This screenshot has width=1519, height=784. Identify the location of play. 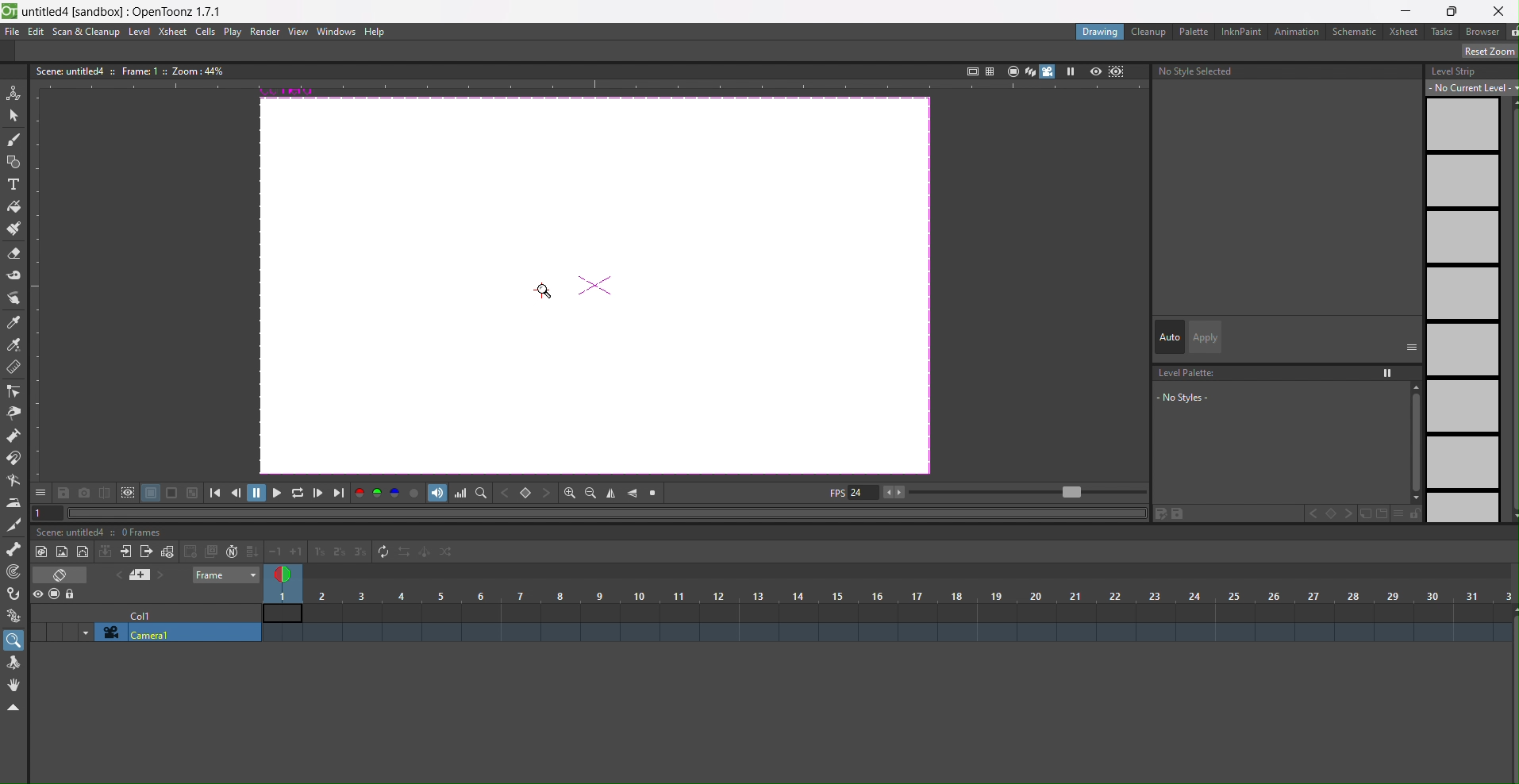
(234, 33).